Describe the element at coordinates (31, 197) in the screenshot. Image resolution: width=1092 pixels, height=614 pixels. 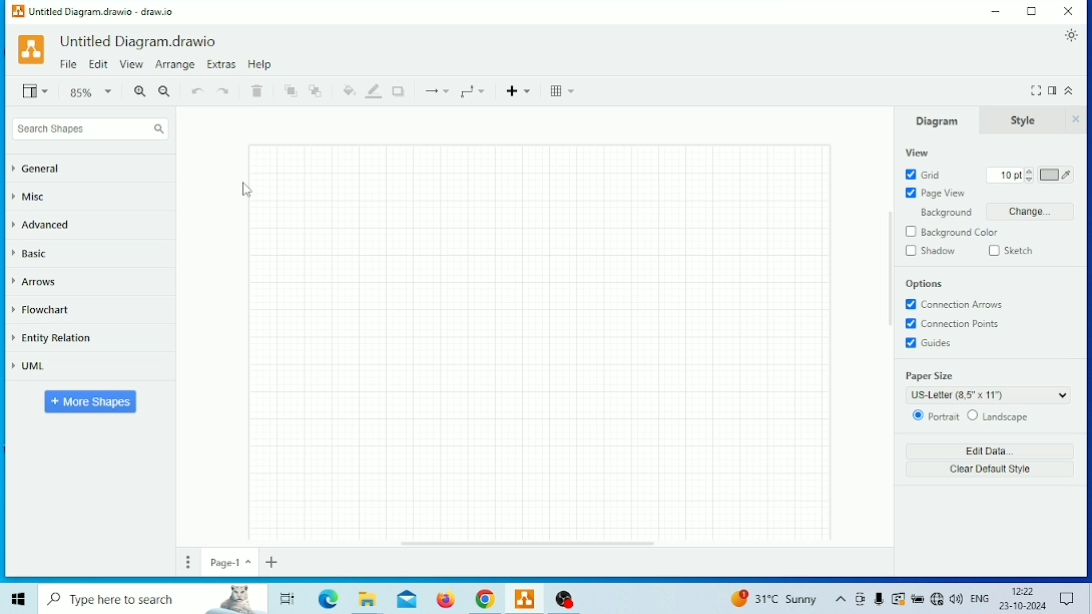
I see `Misc` at that location.